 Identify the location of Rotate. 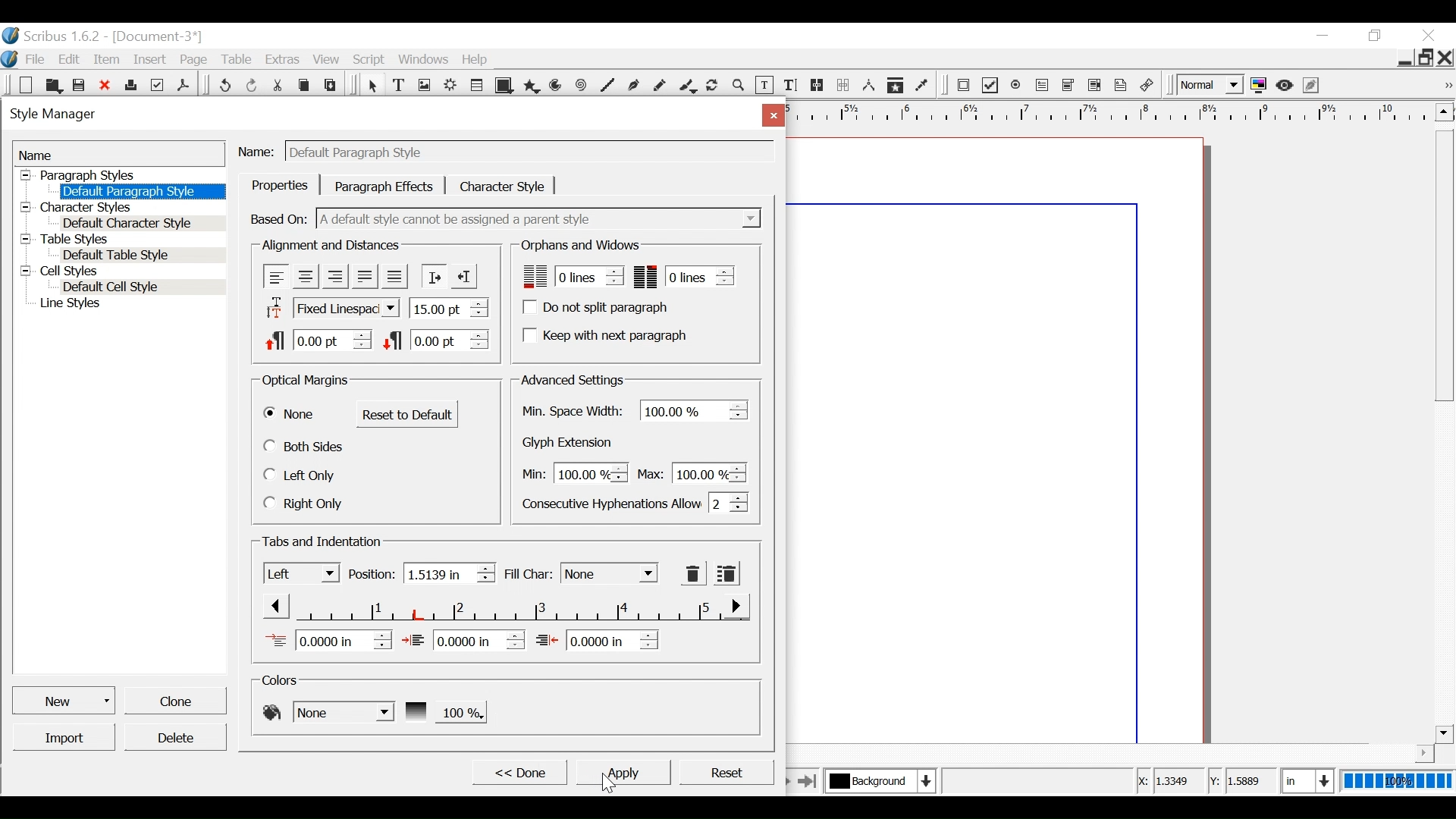
(713, 86).